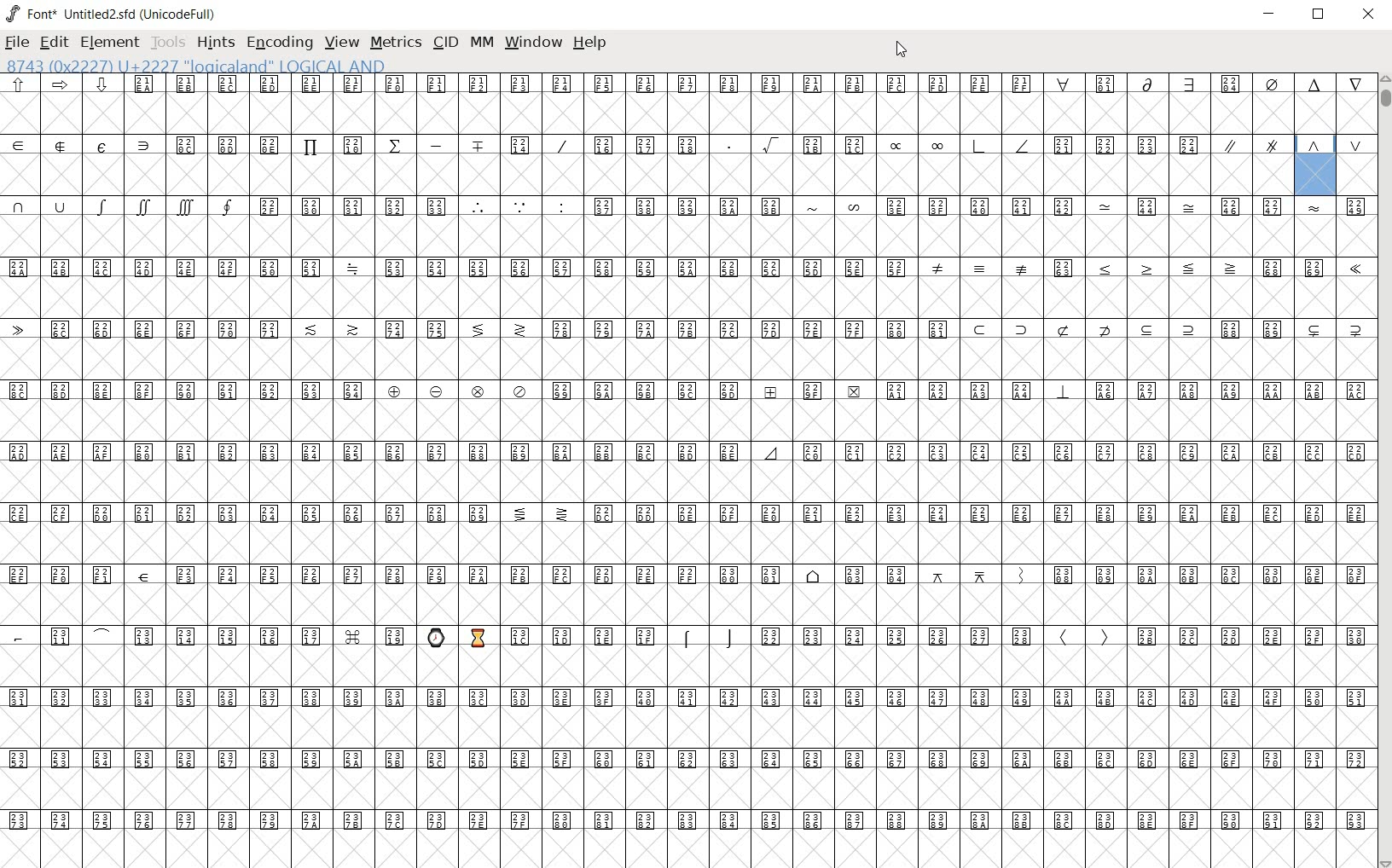 The width and height of the screenshot is (1392, 868). I want to click on edit, so click(53, 42).